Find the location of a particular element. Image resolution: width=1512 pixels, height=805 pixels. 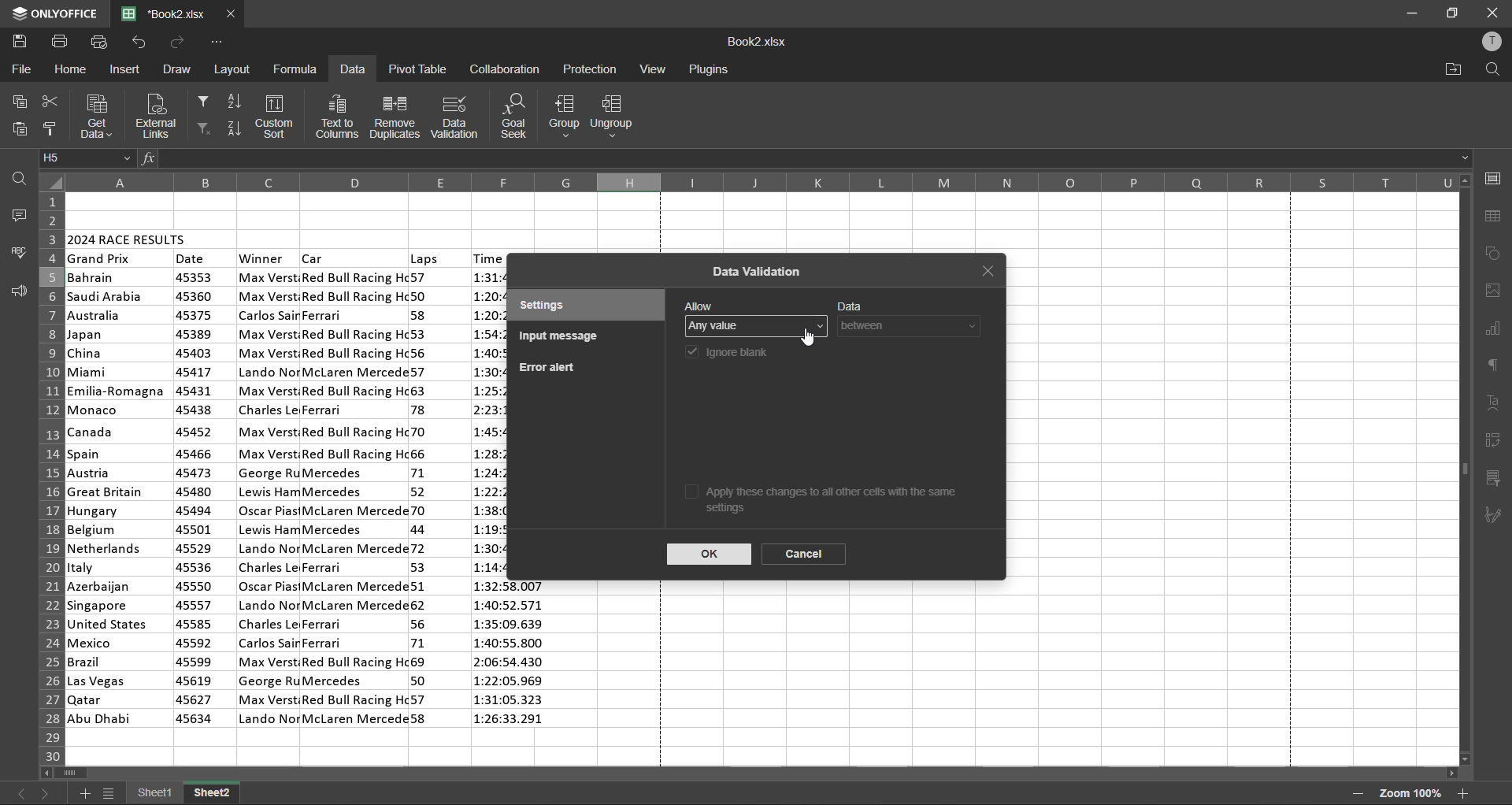

formula bar is located at coordinates (817, 158).